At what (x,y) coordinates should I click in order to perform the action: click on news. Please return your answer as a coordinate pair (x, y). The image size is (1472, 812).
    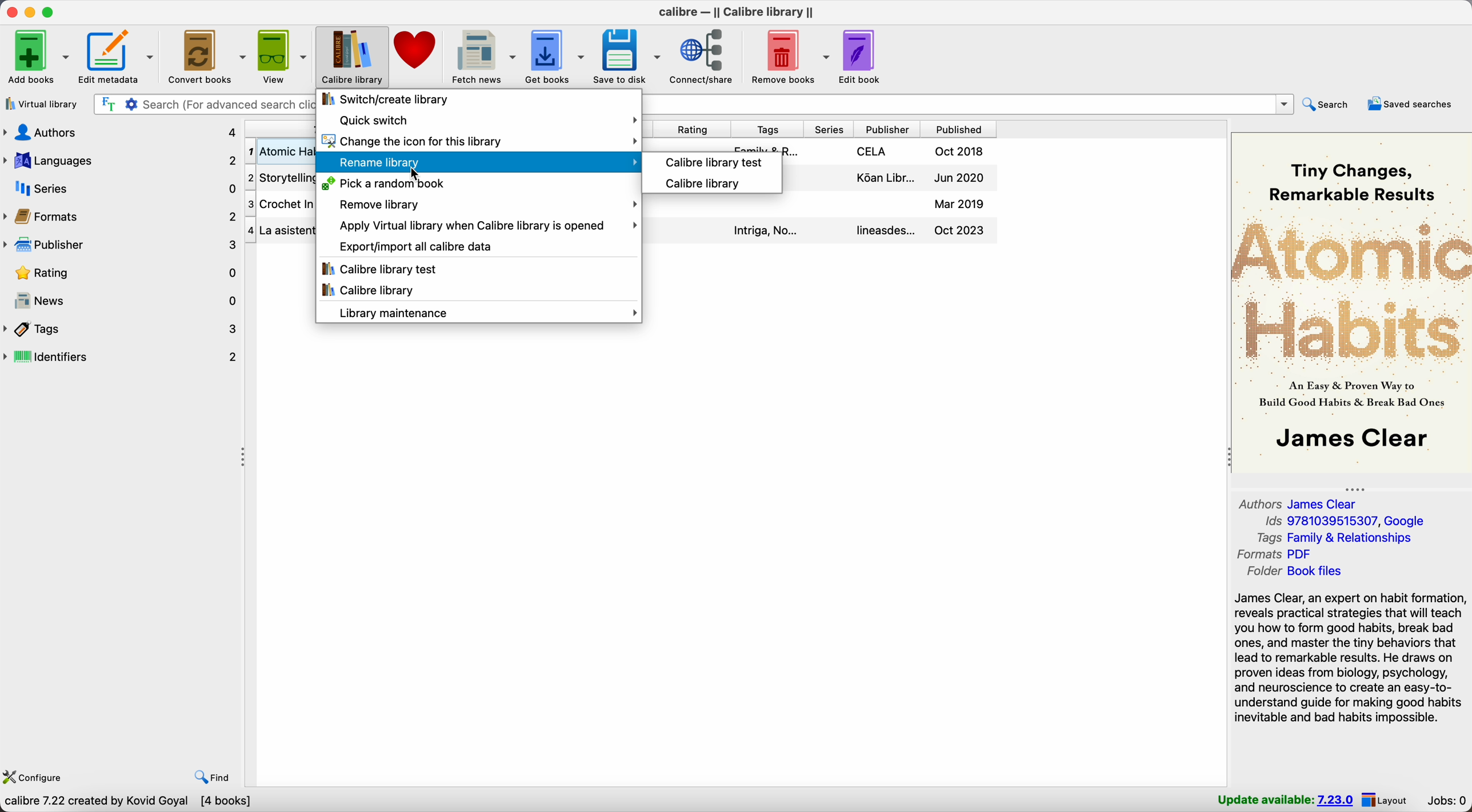
    Looking at the image, I should click on (122, 302).